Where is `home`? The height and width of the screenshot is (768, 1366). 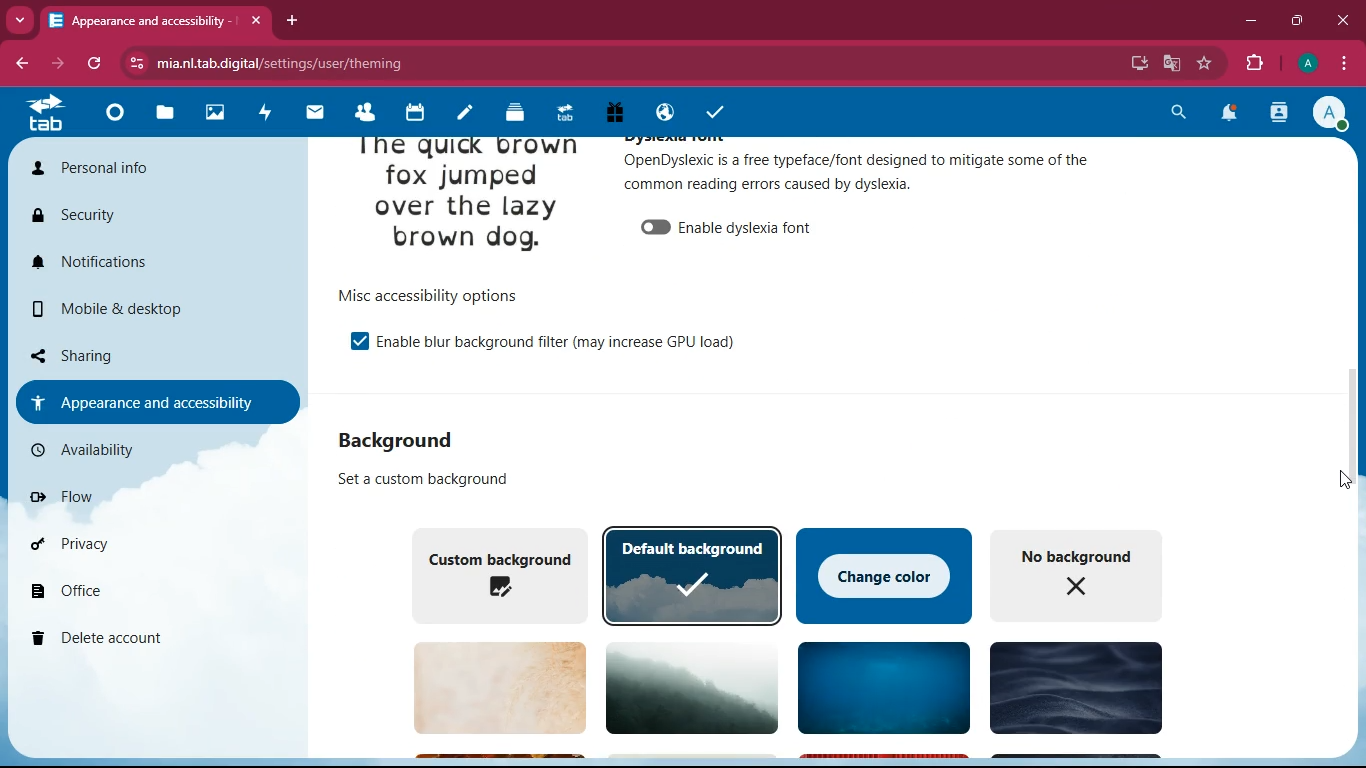
home is located at coordinates (112, 119).